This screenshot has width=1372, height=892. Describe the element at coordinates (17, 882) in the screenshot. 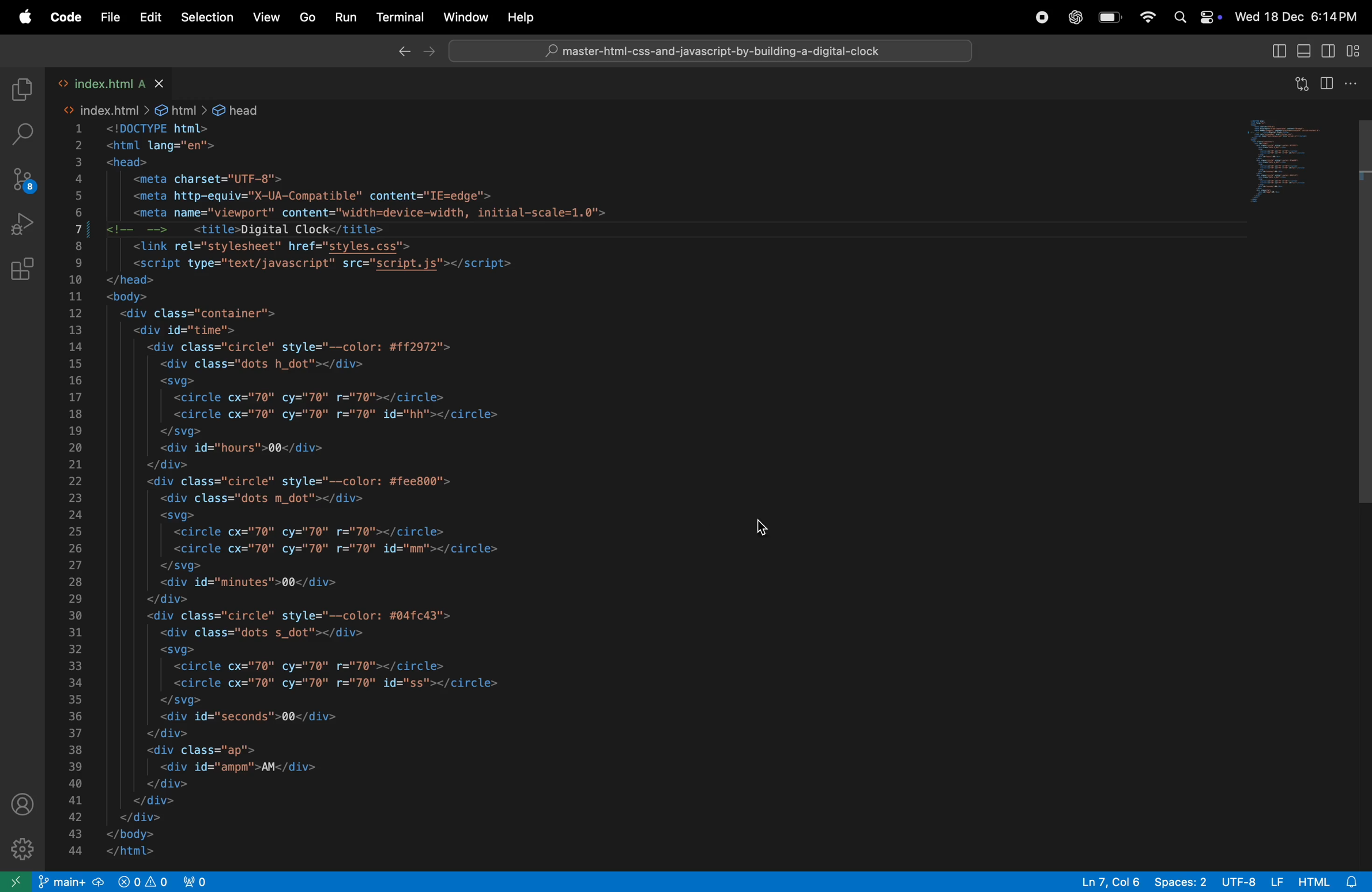

I see `open new window` at that location.